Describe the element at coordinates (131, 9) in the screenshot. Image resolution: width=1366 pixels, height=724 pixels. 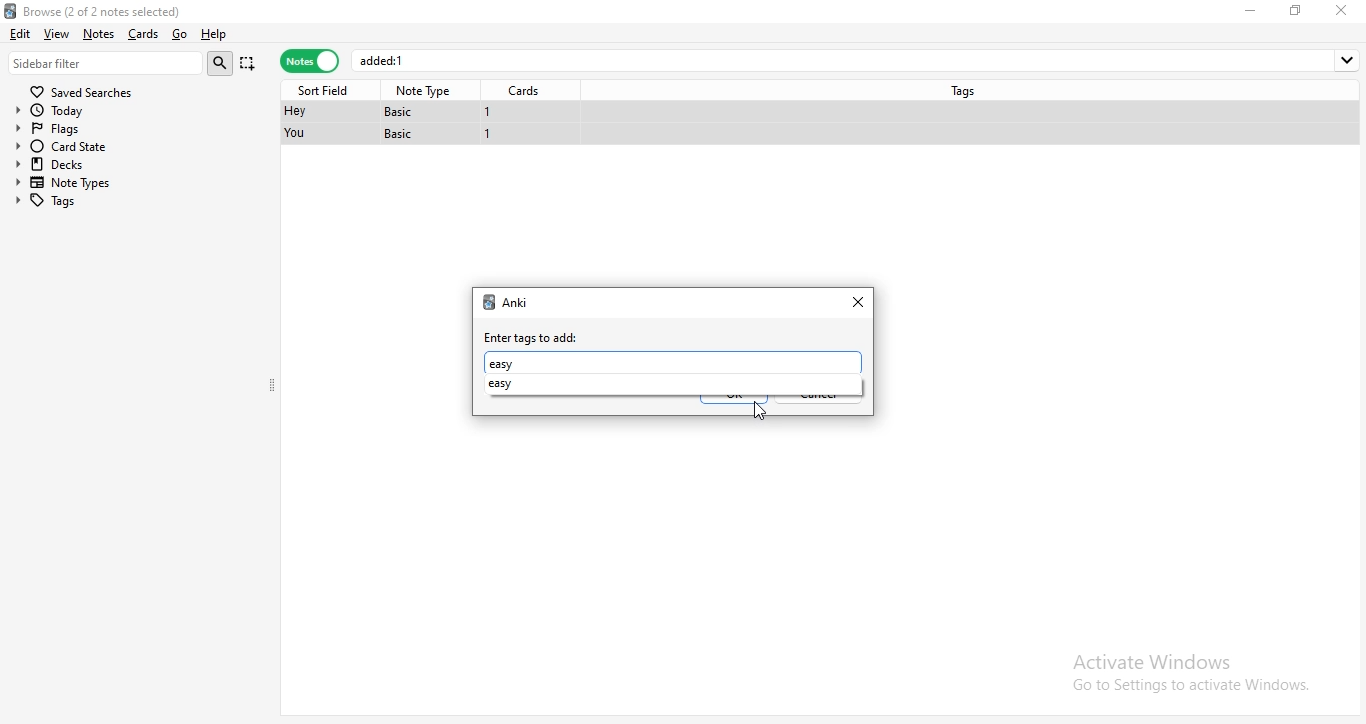
I see `browse` at that location.